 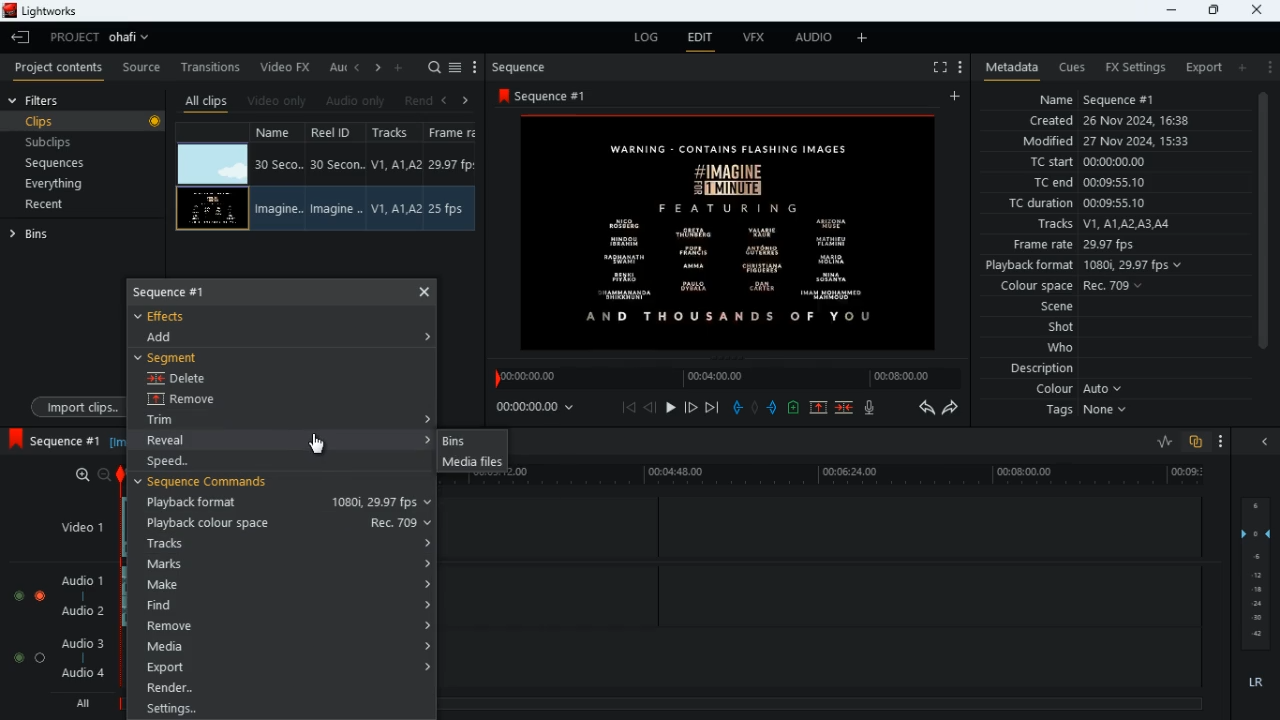 What do you see at coordinates (321, 444) in the screenshot?
I see `Mouse Cursor` at bounding box center [321, 444].